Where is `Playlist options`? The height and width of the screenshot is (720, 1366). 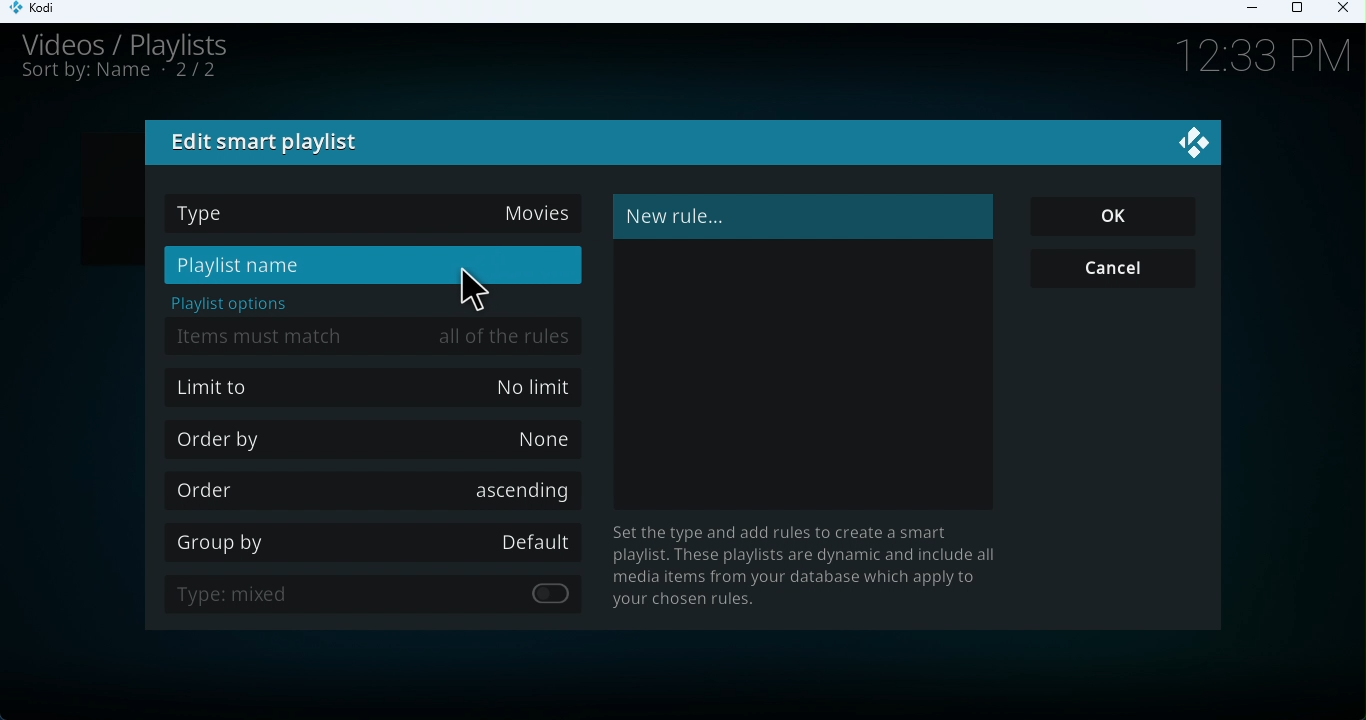
Playlist options is located at coordinates (233, 304).